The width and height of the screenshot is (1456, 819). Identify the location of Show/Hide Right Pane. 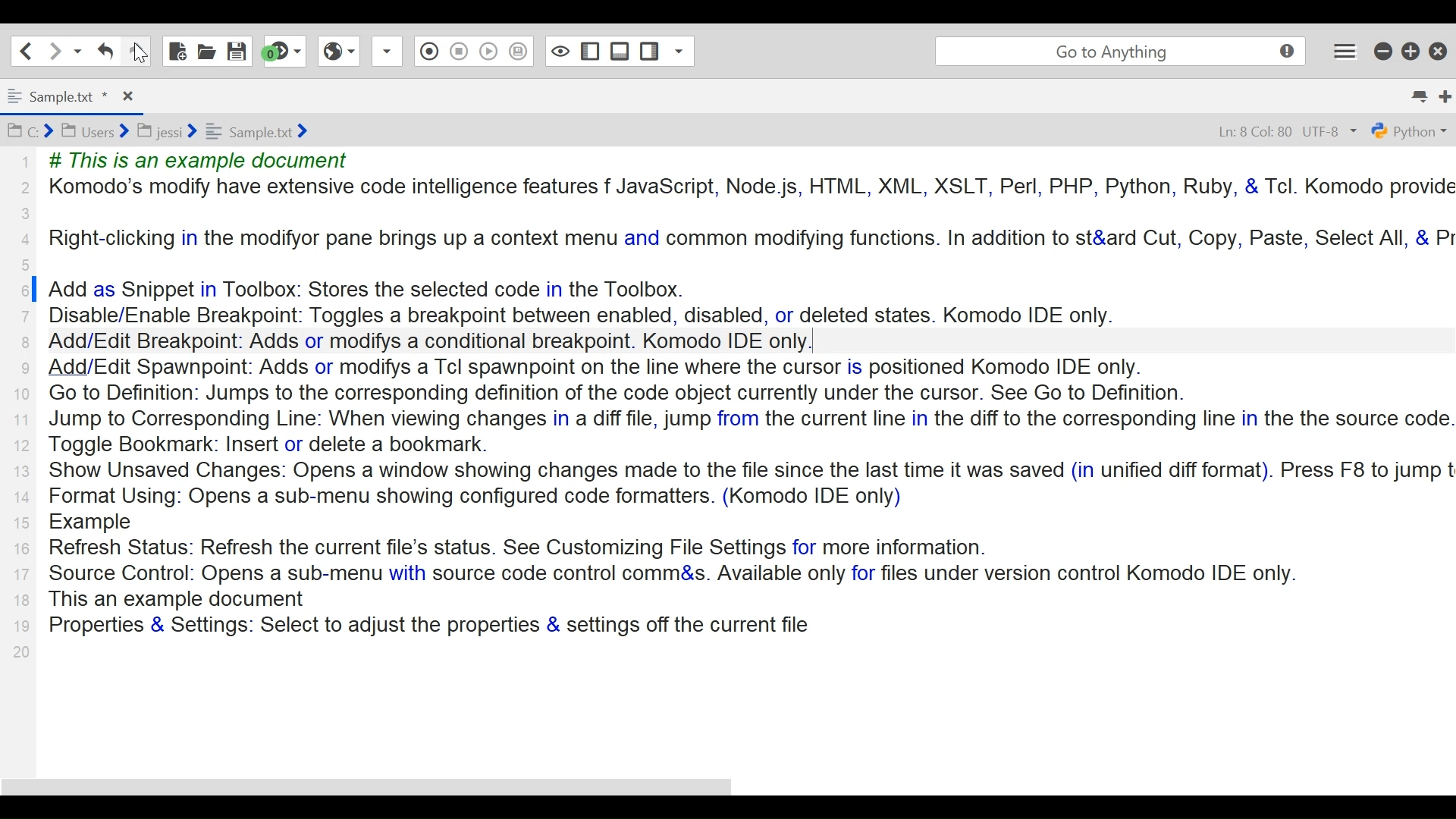
(649, 50).